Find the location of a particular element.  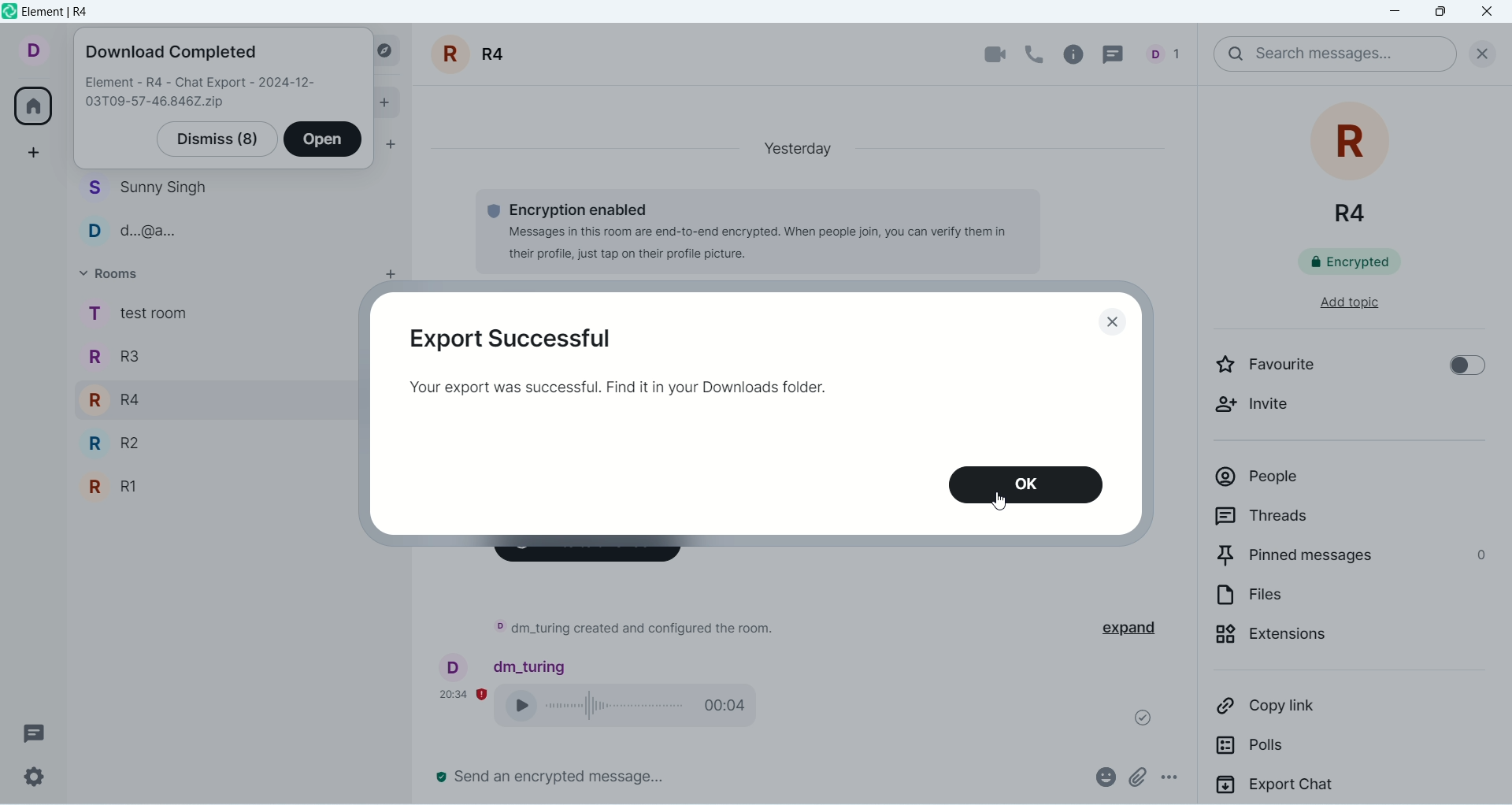

create a space is located at coordinates (37, 152).